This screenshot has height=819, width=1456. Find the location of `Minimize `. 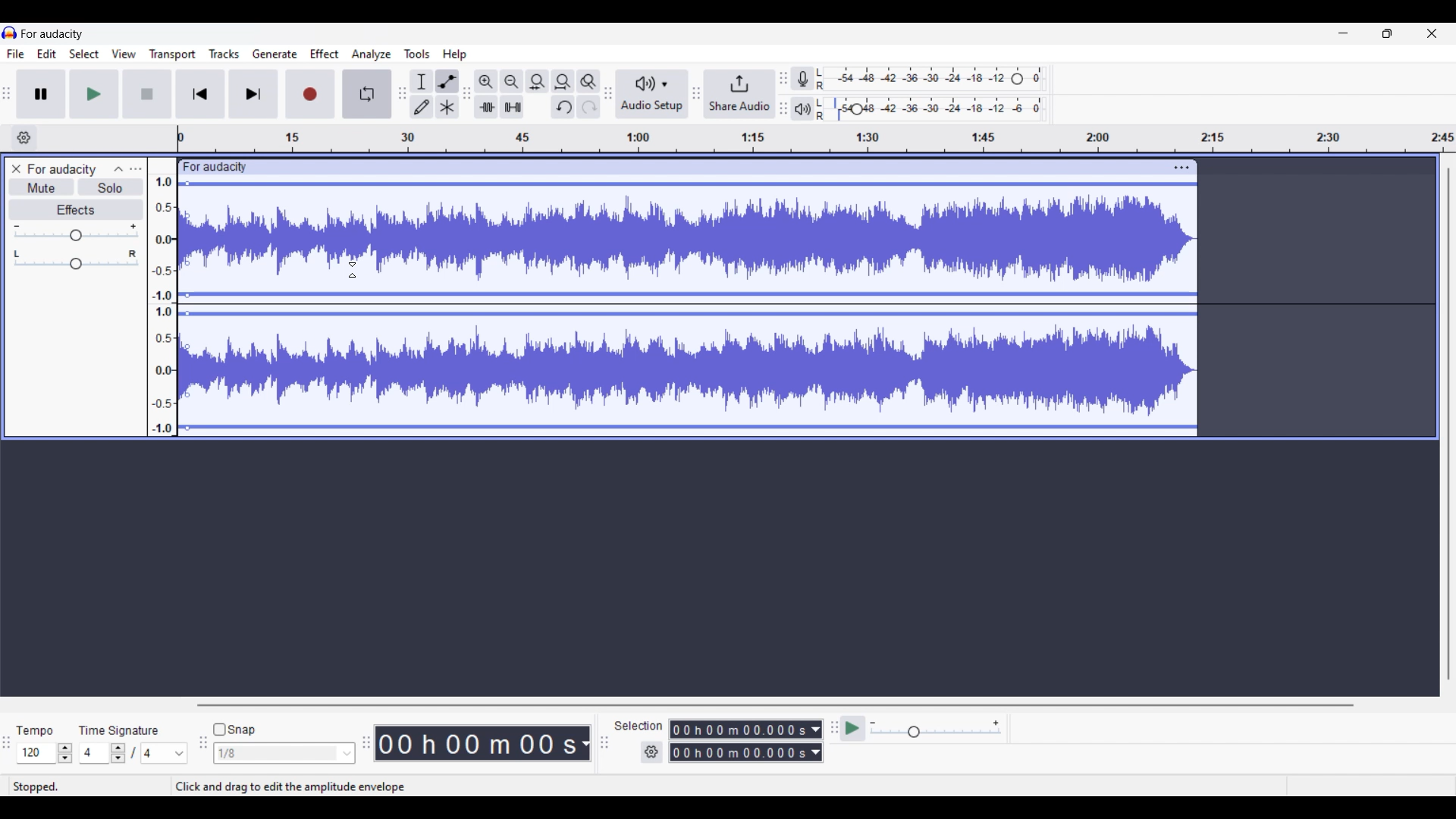

Minimize  is located at coordinates (1343, 33).